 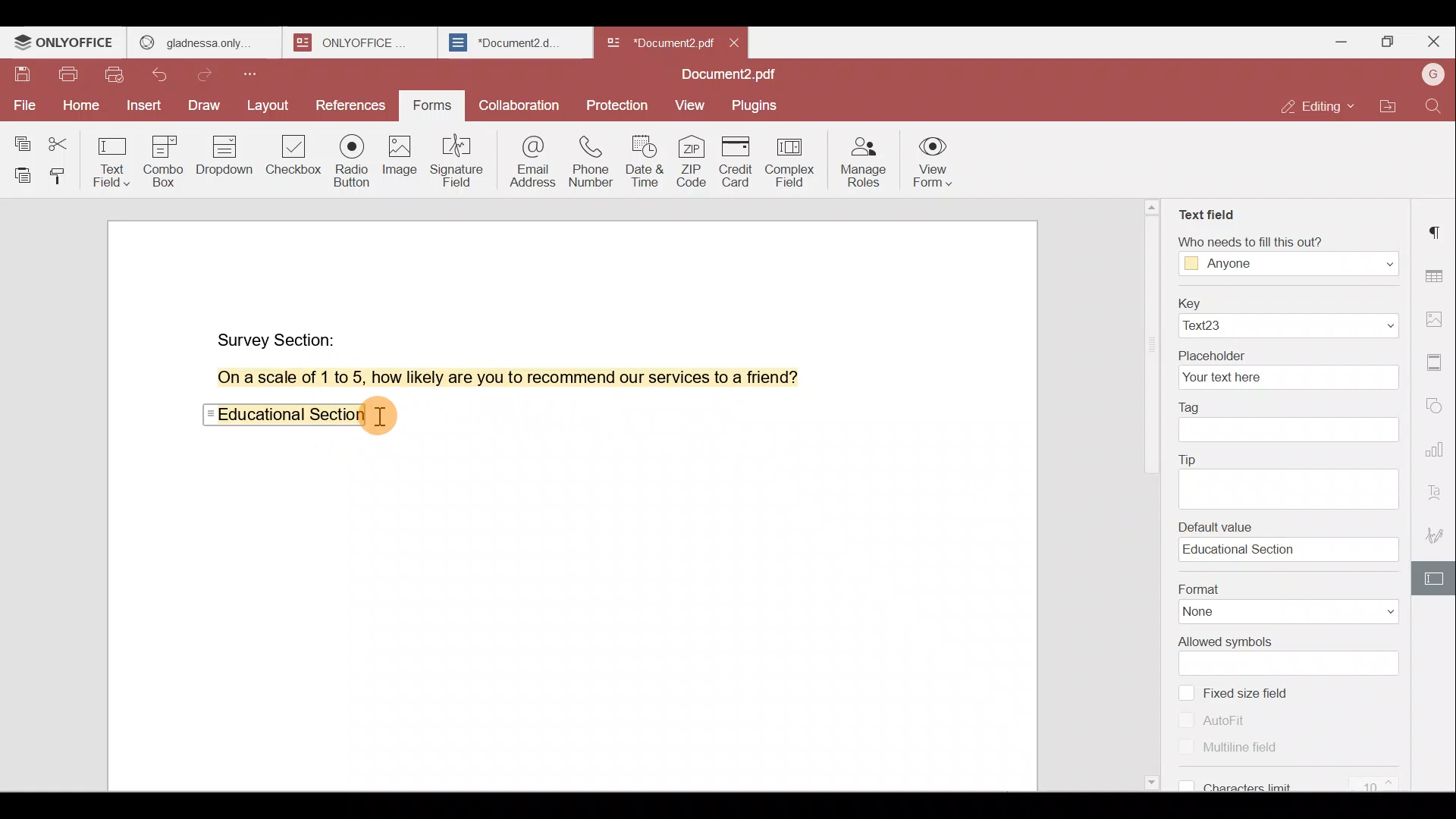 What do you see at coordinates (114, 158) in the screenshot?
I see `Text field` at bounding box center [114, 158].